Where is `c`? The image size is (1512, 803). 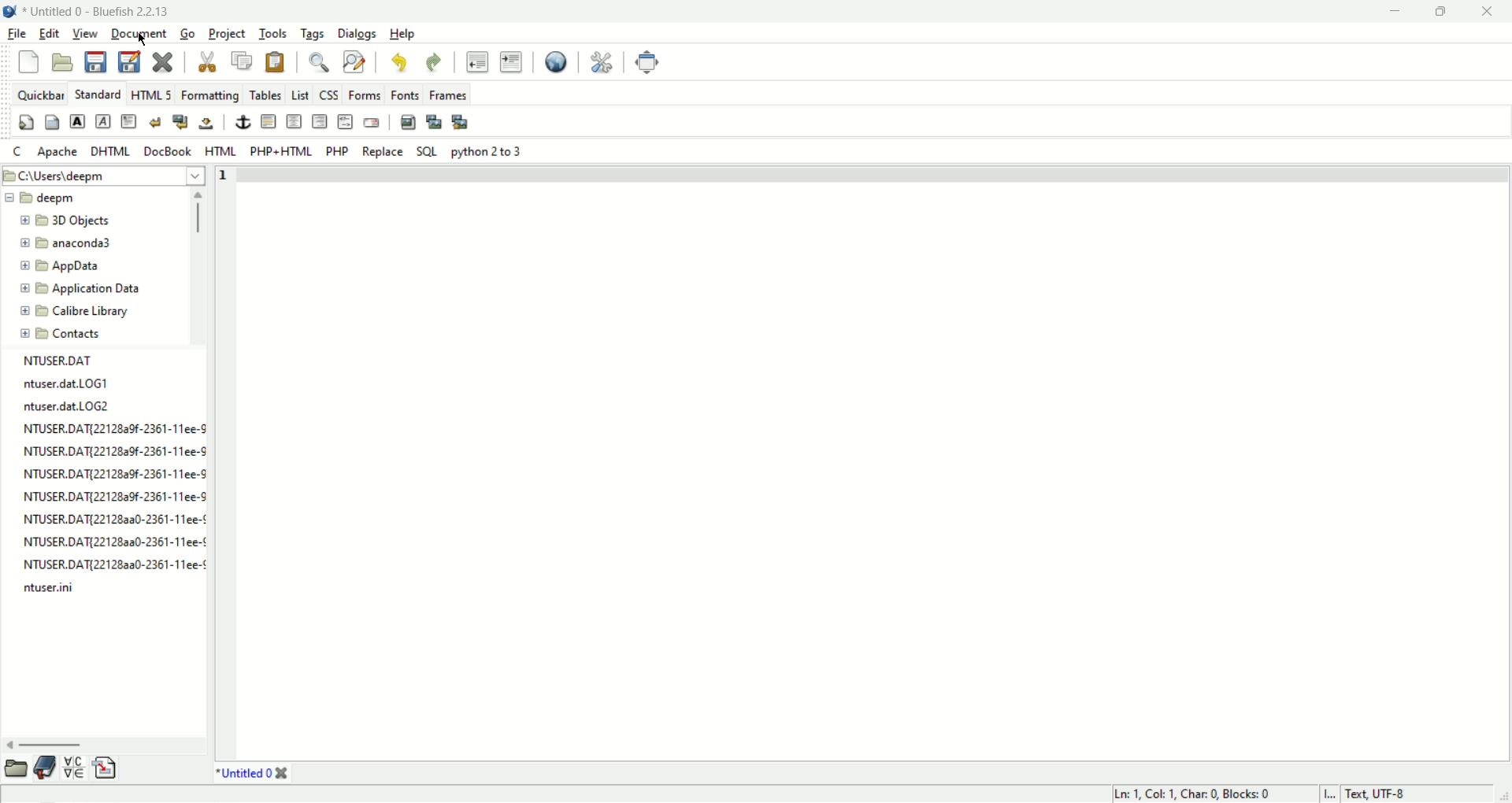 c is located at coordinates (20, 152).